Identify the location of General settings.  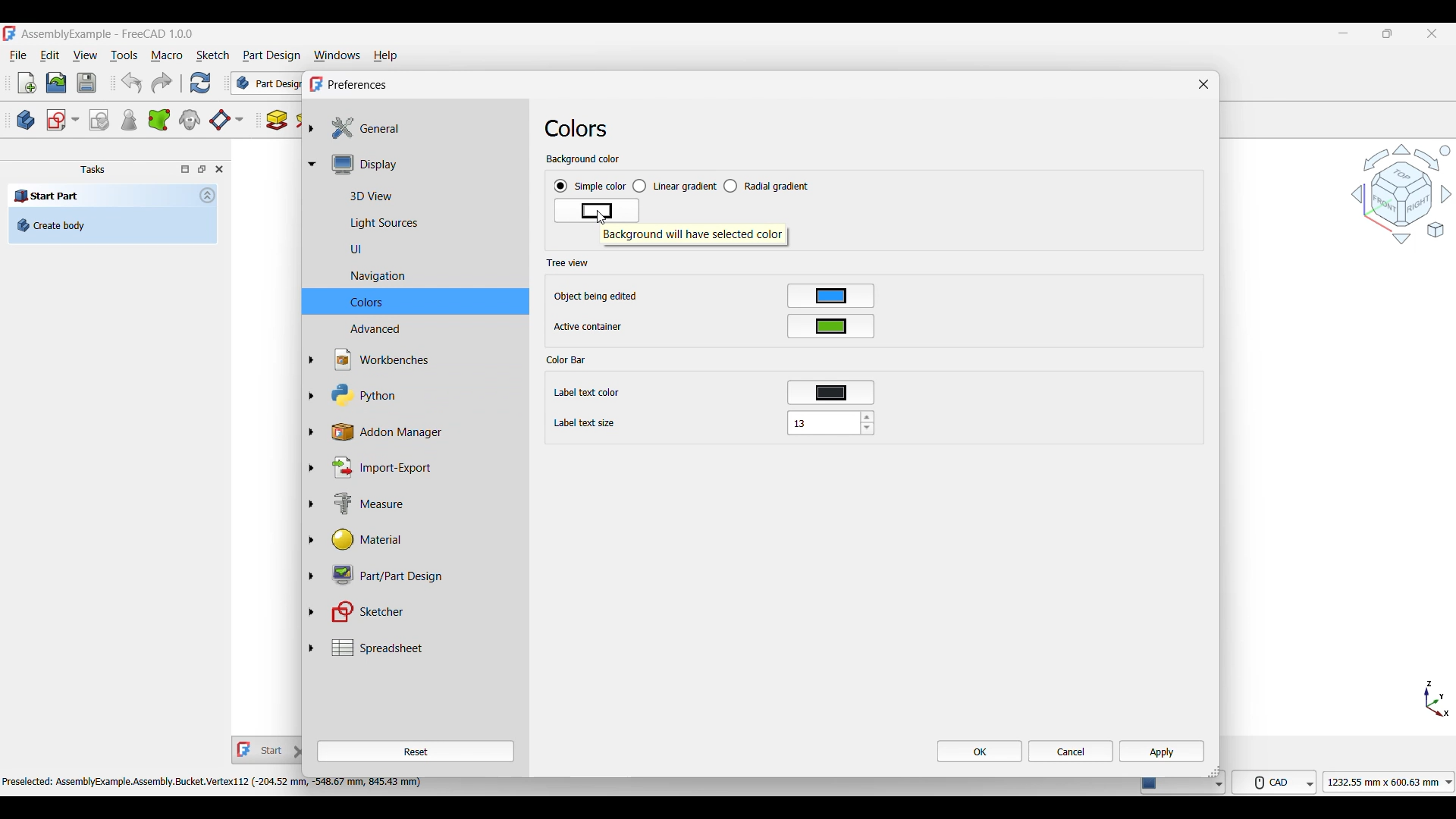
(424, 128).